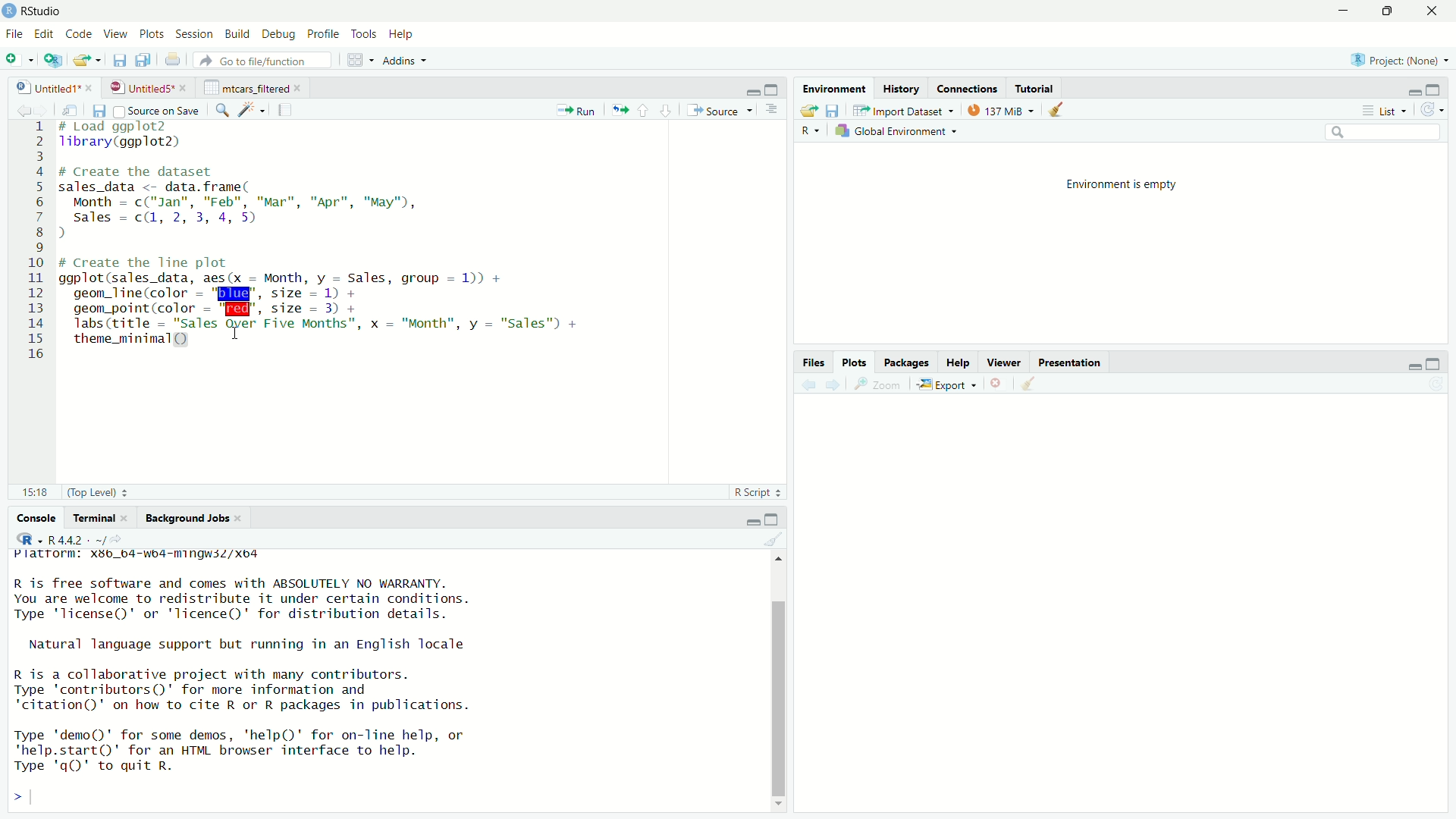  I want to click on Export, so click(946, 385).